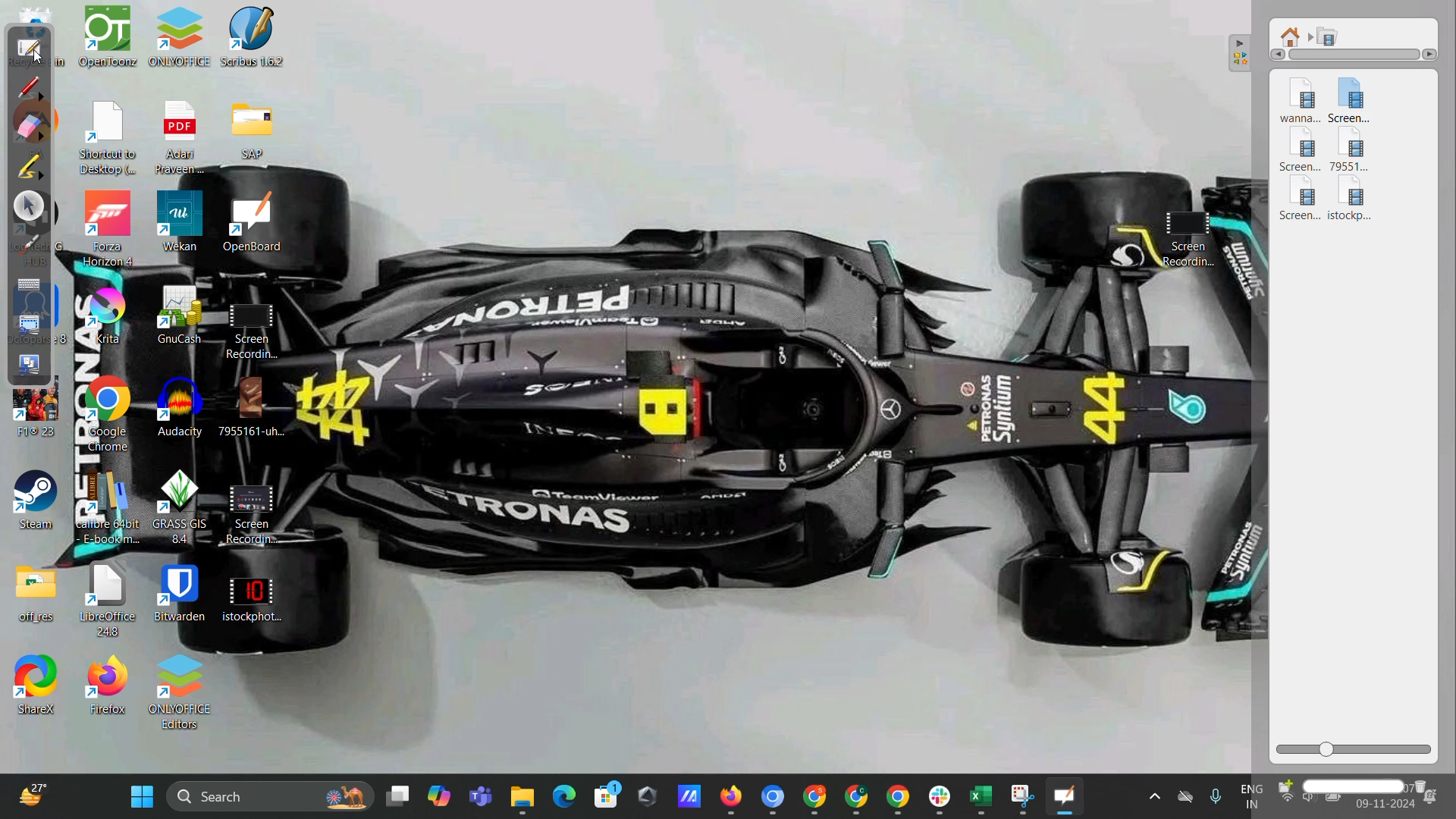 Image resolution: width=1456 pixels, height=819 pixels. What do you see at coordinates (29, 795) in the screenshot?
I see `weather shortcut` at bounding box center [29, 795].